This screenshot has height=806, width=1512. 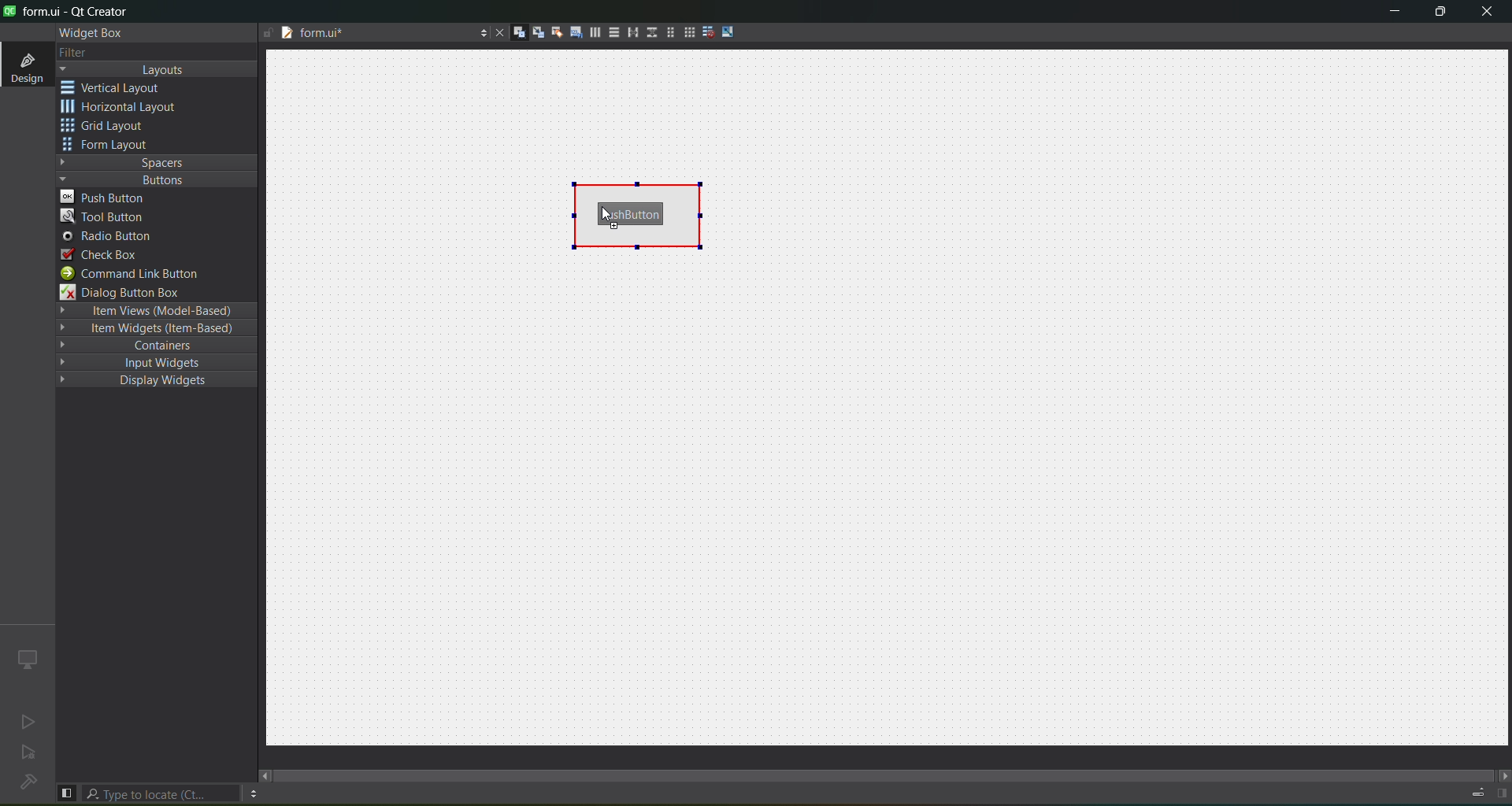 I want to click on horizontal splitter, so click(x=630, y=35).